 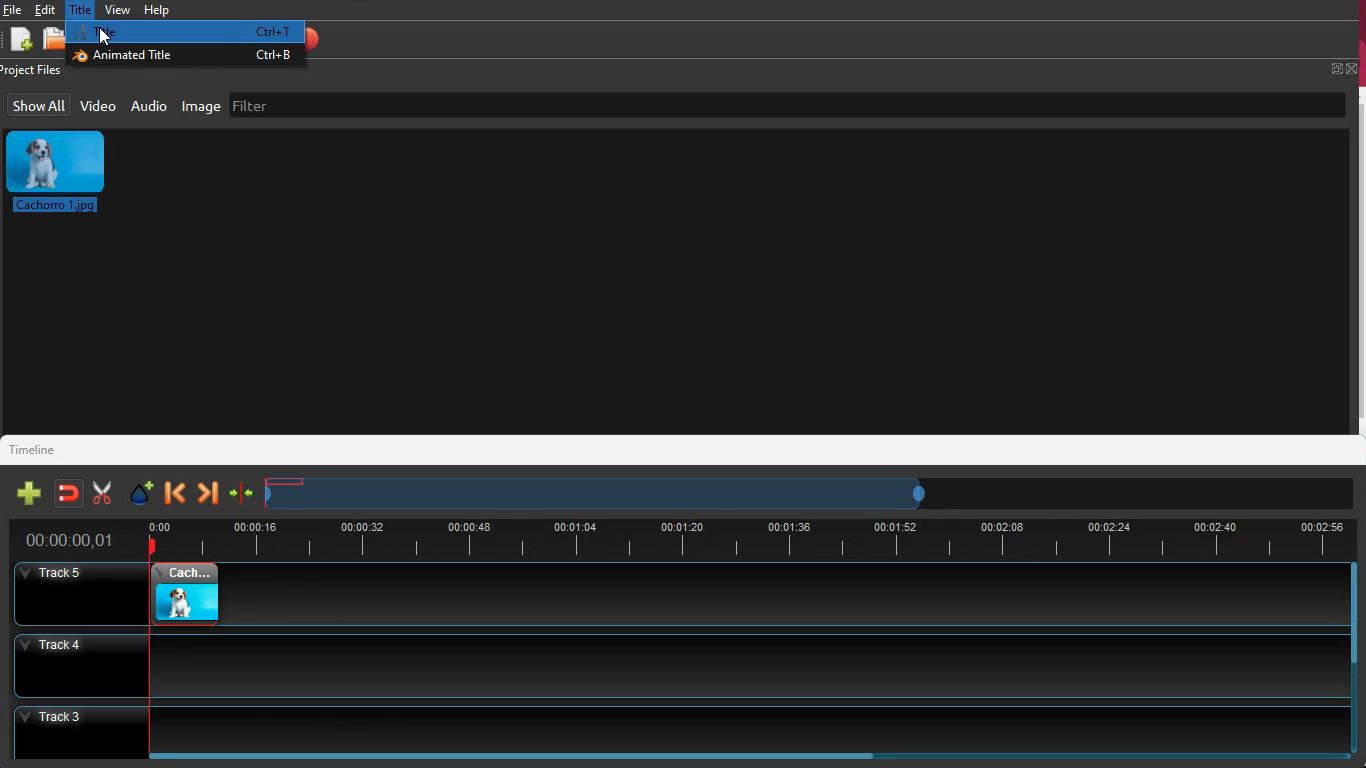 What do you see at coordinates (83, 9) in the screenshot?
I see `title` at bounding box center [83, 9].